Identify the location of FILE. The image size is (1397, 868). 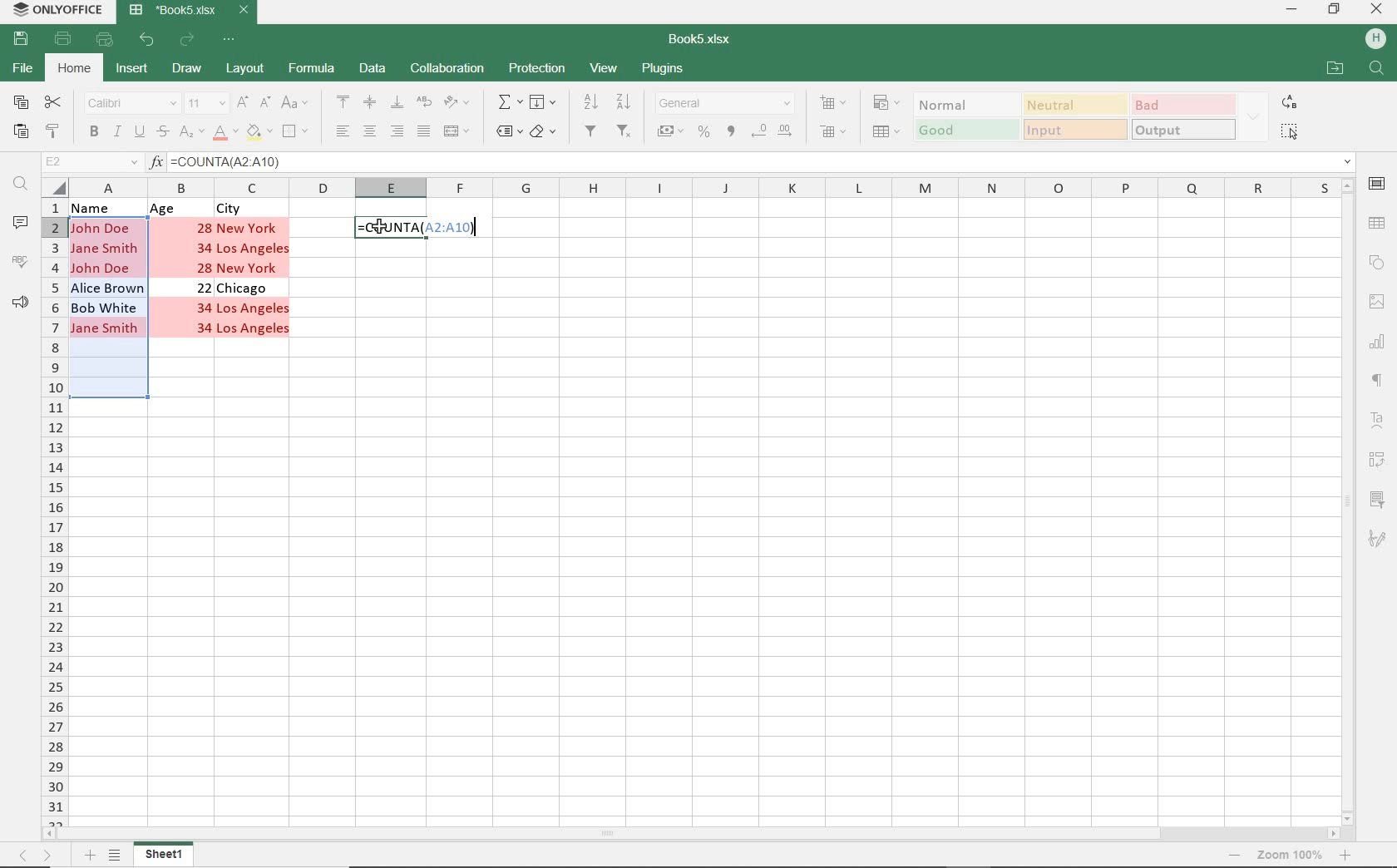
(26, 70).